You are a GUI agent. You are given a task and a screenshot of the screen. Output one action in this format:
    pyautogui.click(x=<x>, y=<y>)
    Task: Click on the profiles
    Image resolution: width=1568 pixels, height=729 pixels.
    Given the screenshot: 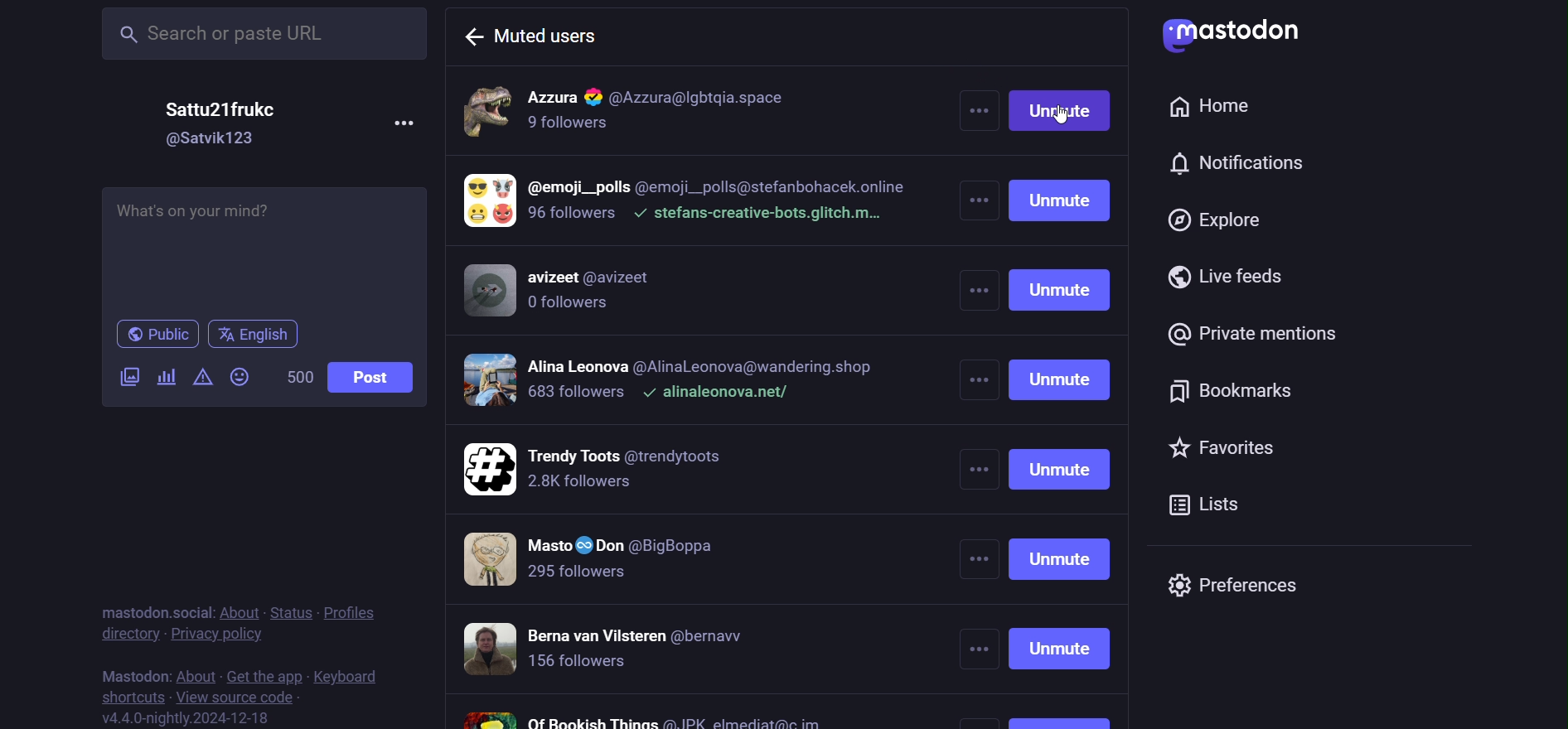 What is the action you would take?
    pyautogui.click(x=354, y=612)
    